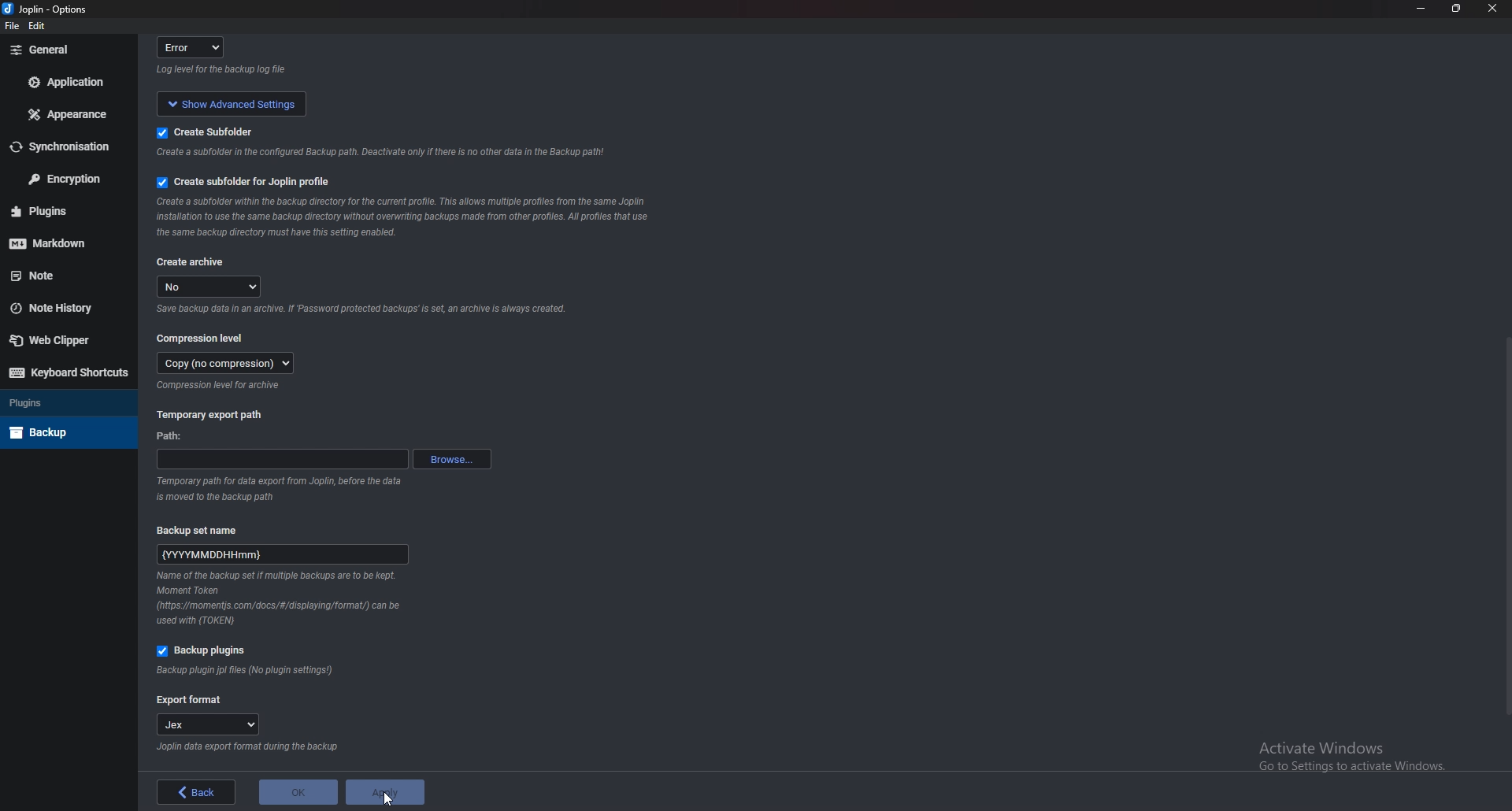  Describe the element at coordinates (361, 310) in the screenshot. I see `info` at that location.